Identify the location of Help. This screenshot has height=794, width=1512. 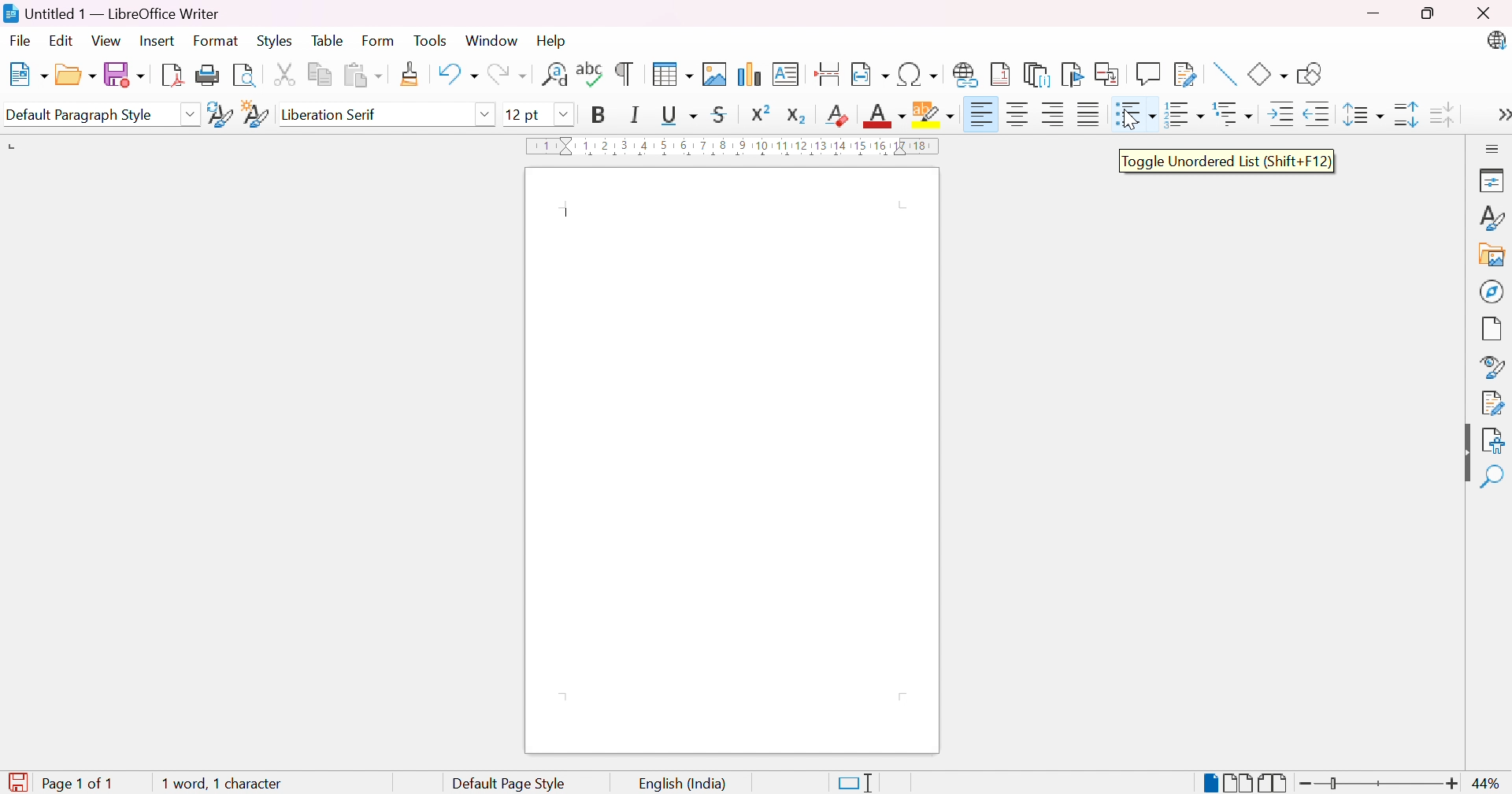
(556, 42).